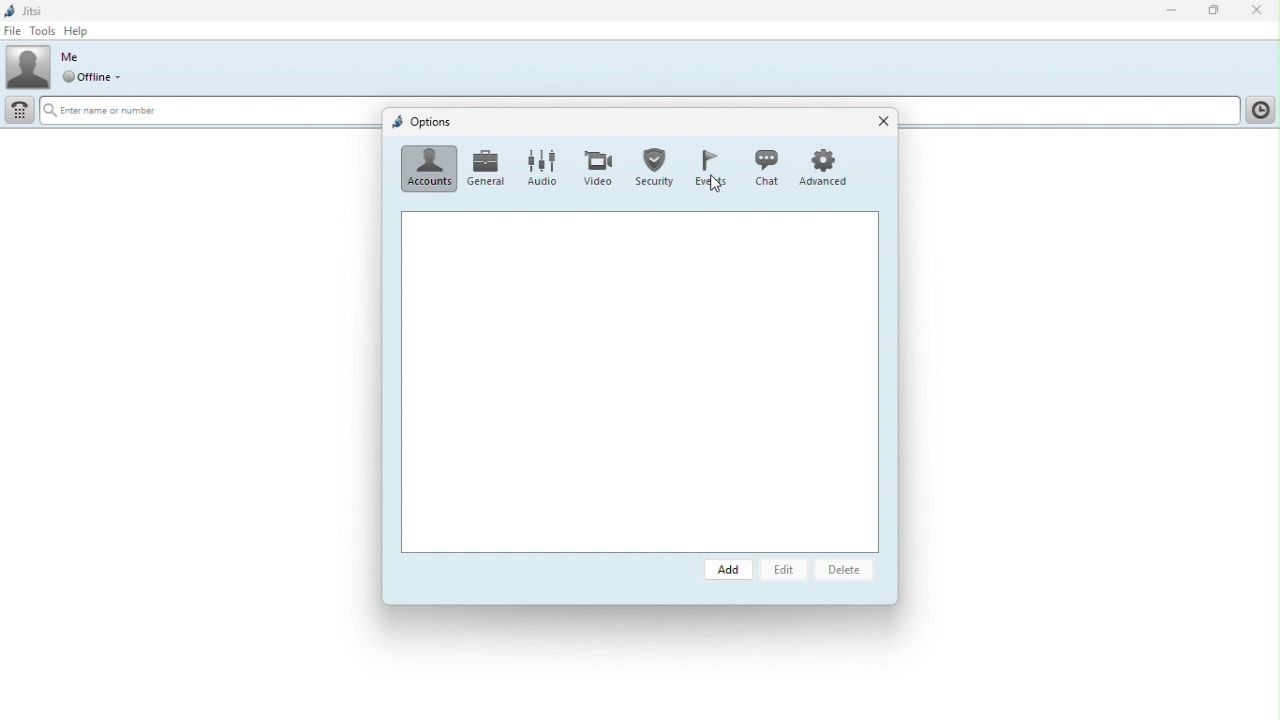  I want to click on Profile picture and online status, so click(70, 67).